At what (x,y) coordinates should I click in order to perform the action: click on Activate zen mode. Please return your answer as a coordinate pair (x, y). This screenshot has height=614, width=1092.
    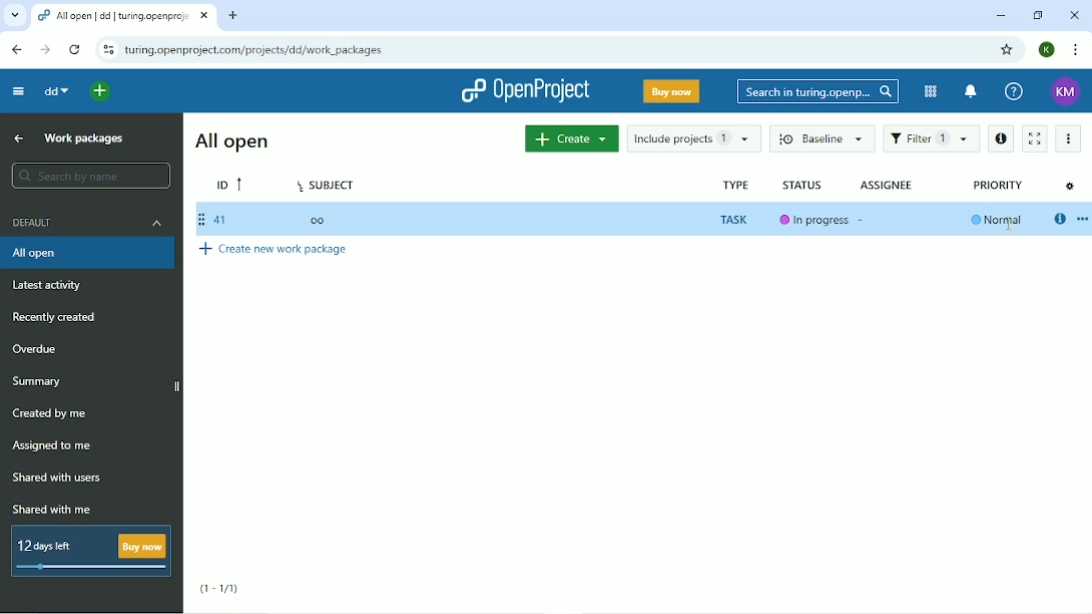
    Looking at the image, I should click on (1038, 140).